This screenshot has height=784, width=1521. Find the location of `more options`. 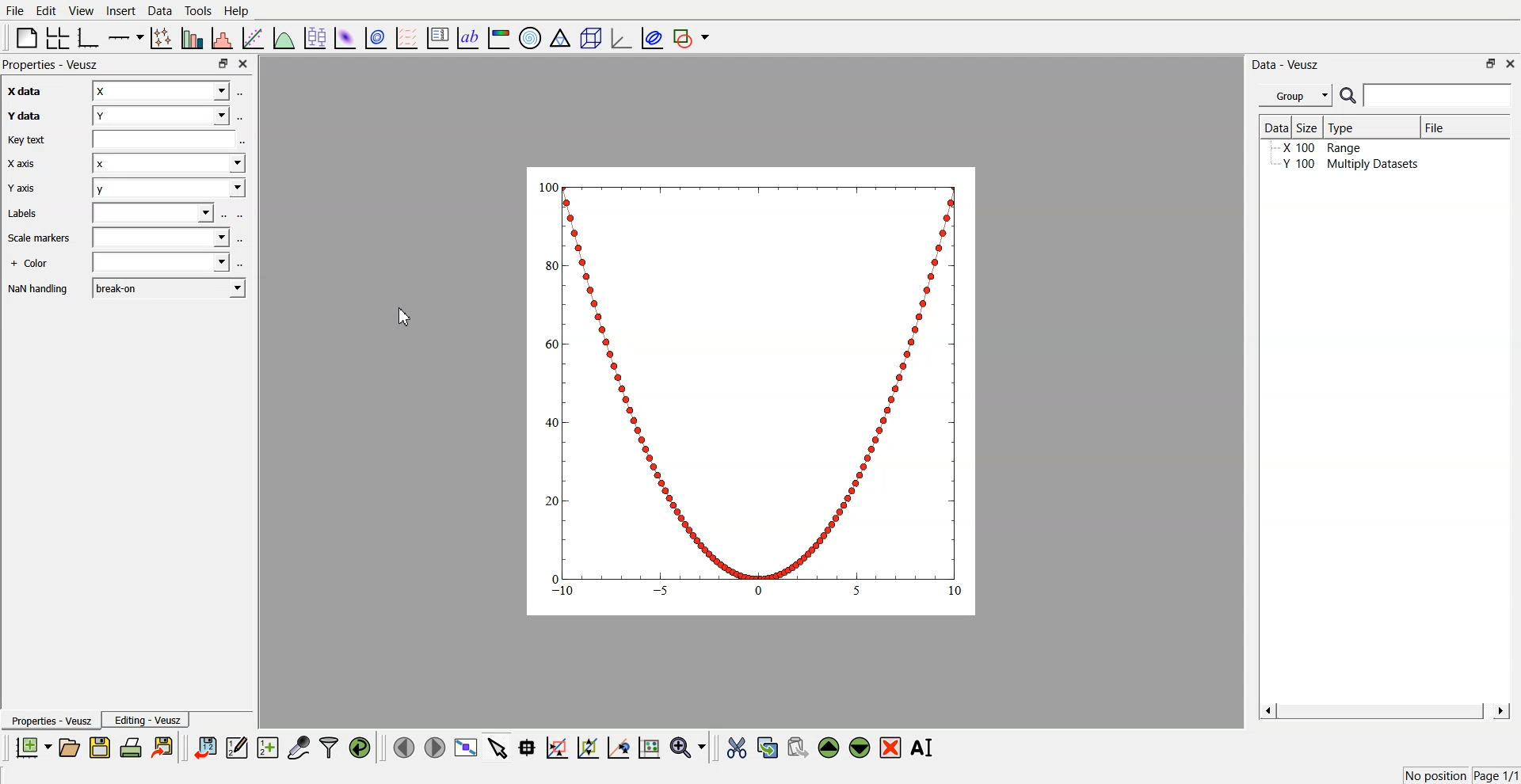

more options is located at coordinates (242, 116).